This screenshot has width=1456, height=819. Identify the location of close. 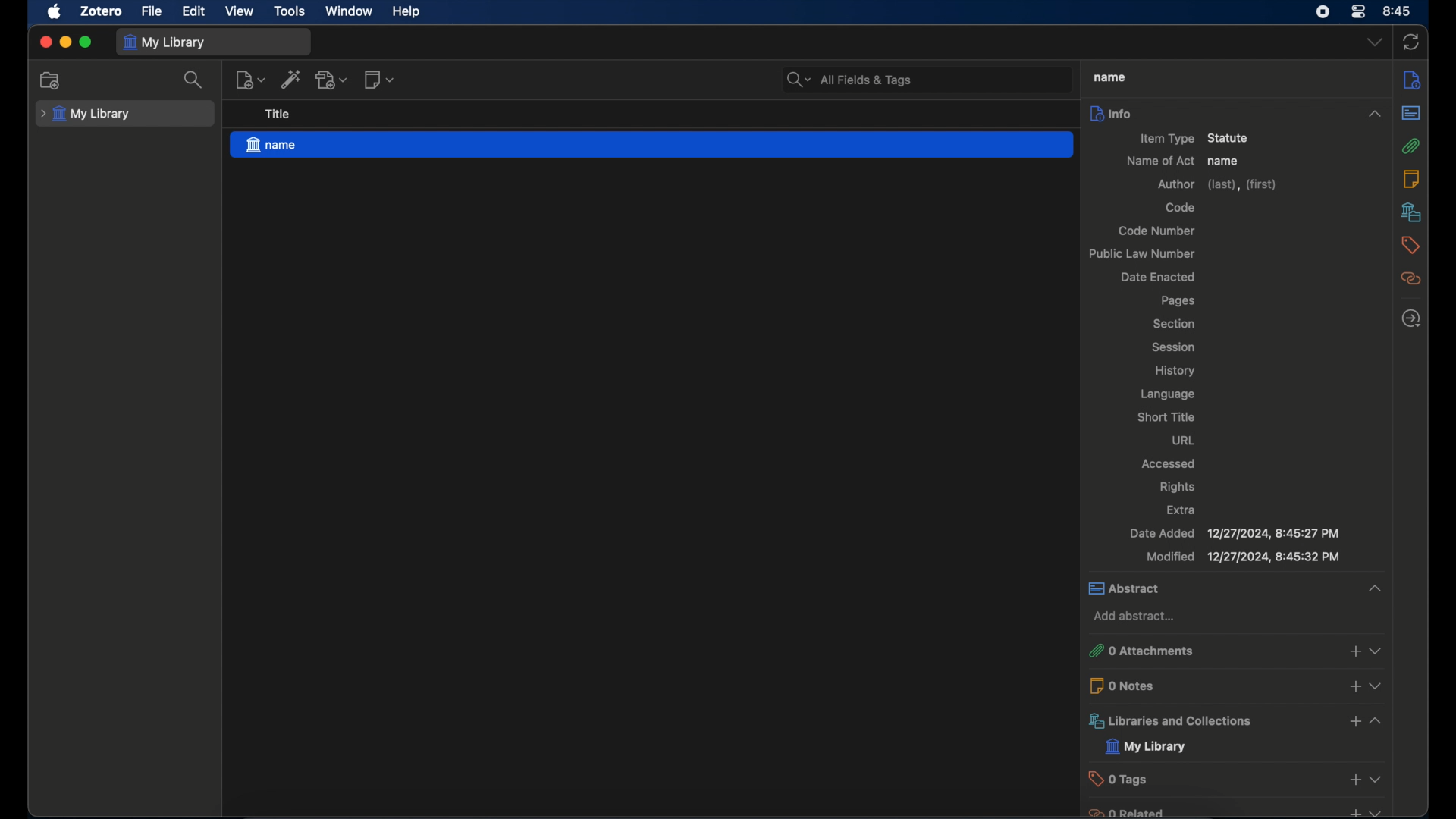
(45, 42).